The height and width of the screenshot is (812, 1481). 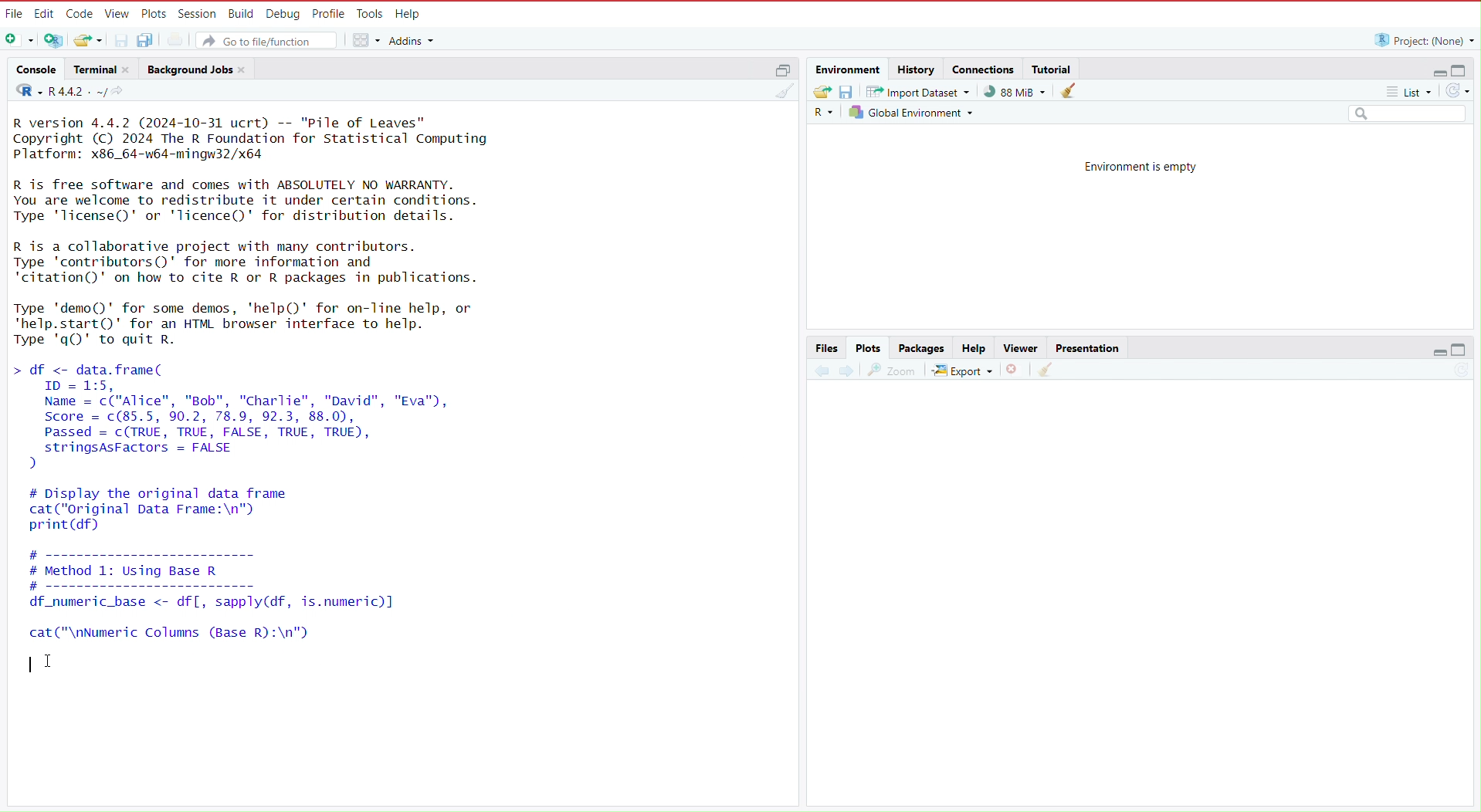 I want to click on save all open documents, so click(x=147, y=40).